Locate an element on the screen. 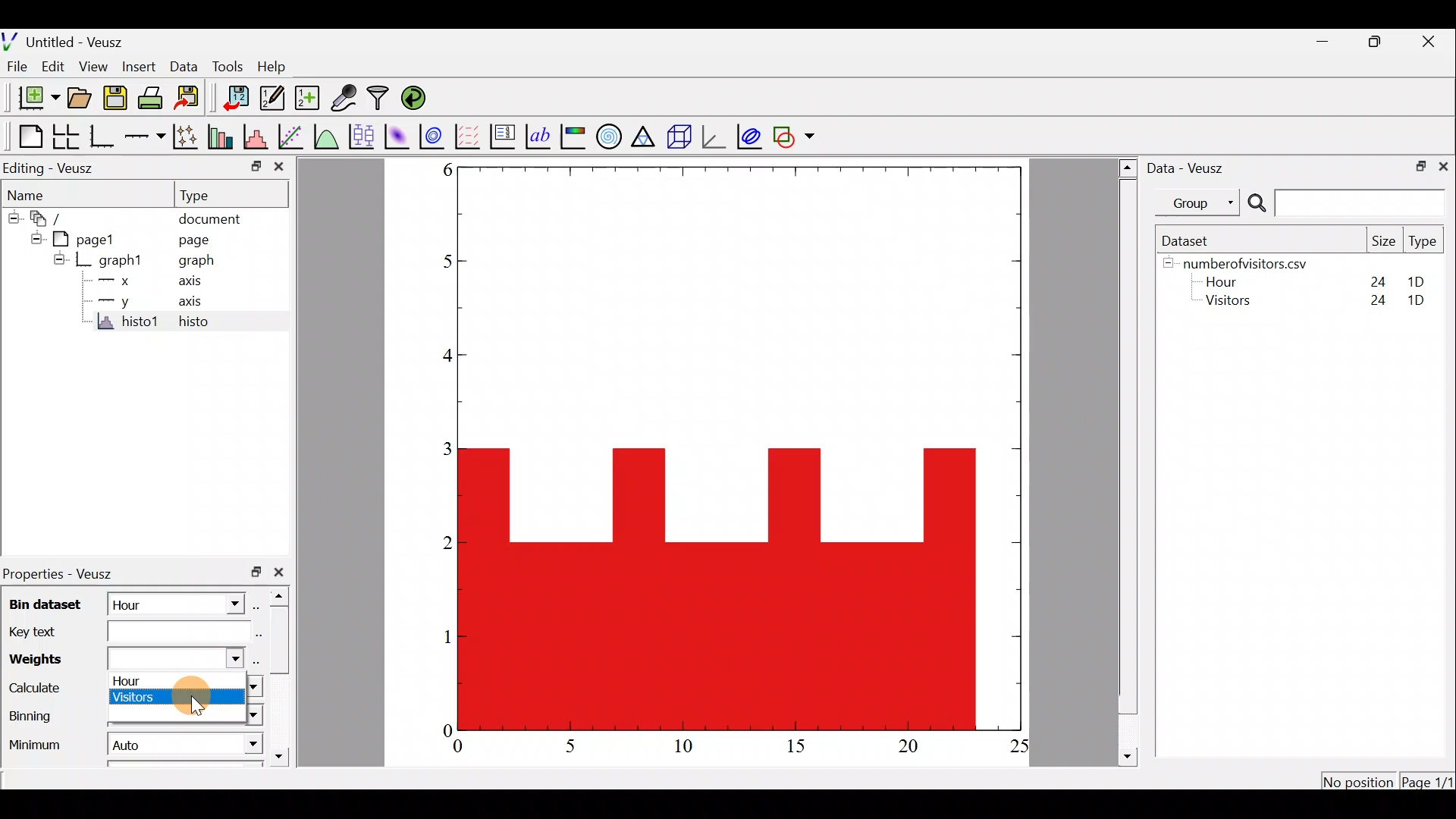 The width and height of the screenshot is (1456, 819). graph1 is located at coordinates (122, 259).